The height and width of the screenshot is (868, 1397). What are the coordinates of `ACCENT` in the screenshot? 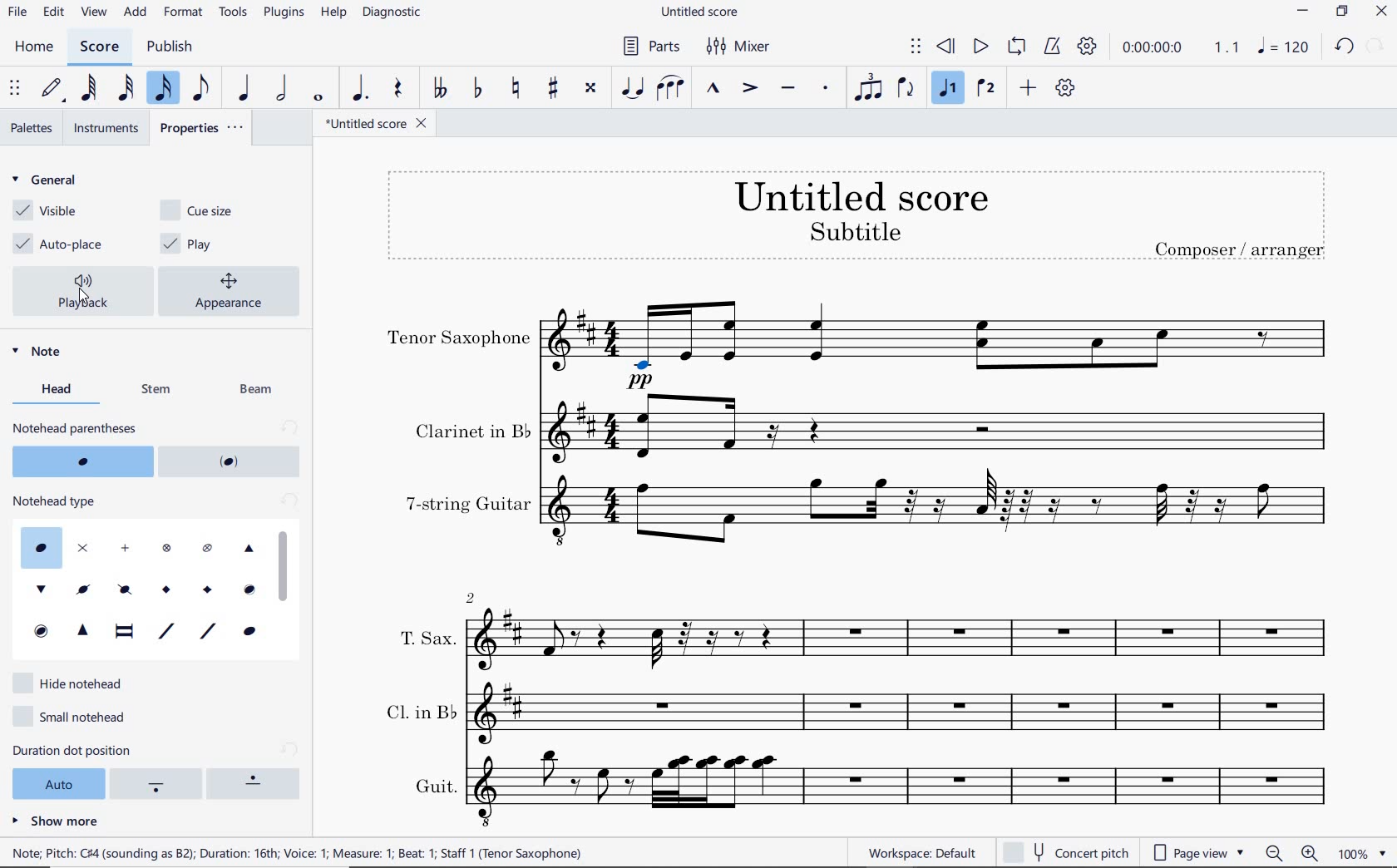 It's located at (753, 89).